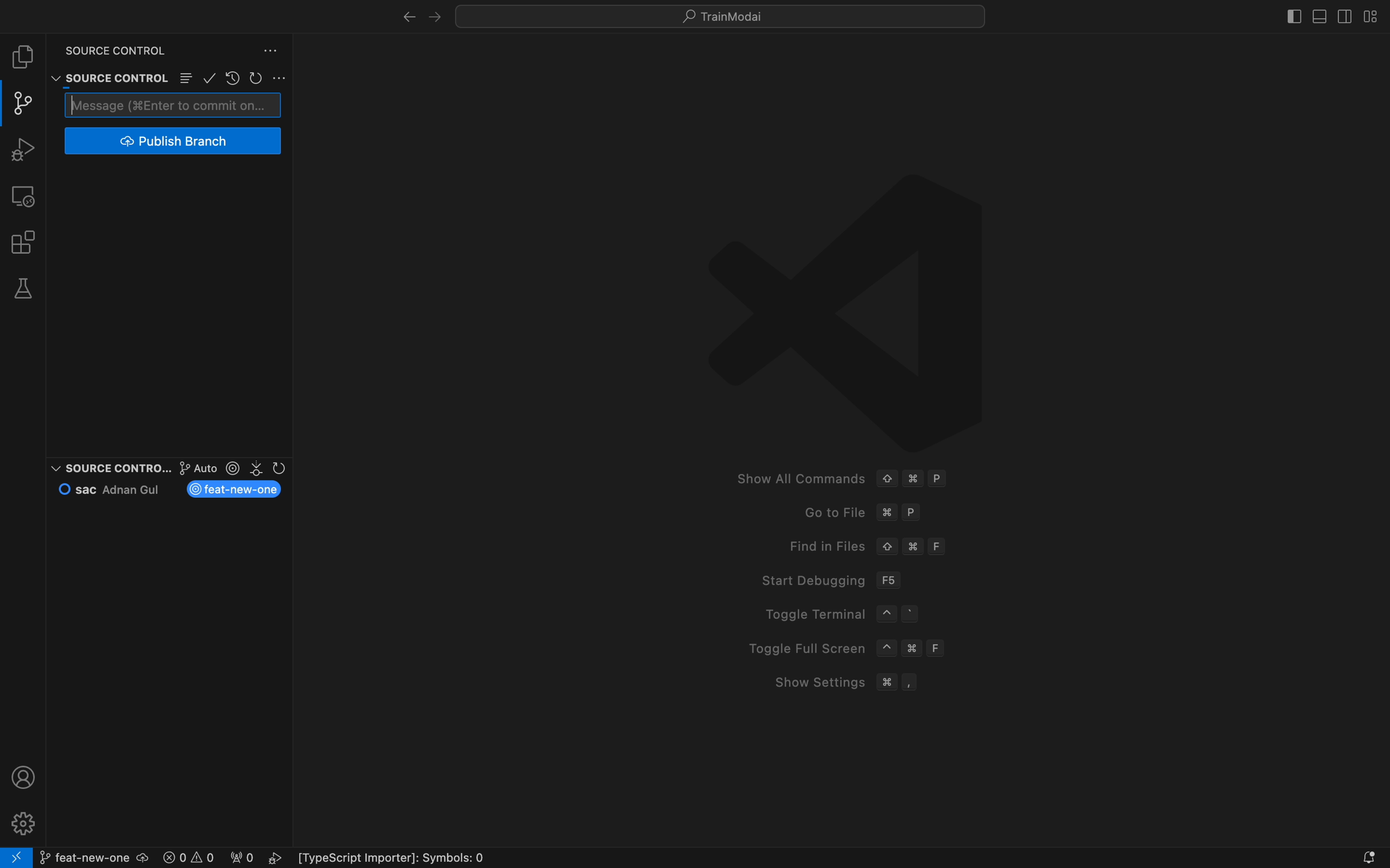  What do you see at coordinates (261, 489) in the screenshot?
I see `current branch` at bounding box center [261, 489].